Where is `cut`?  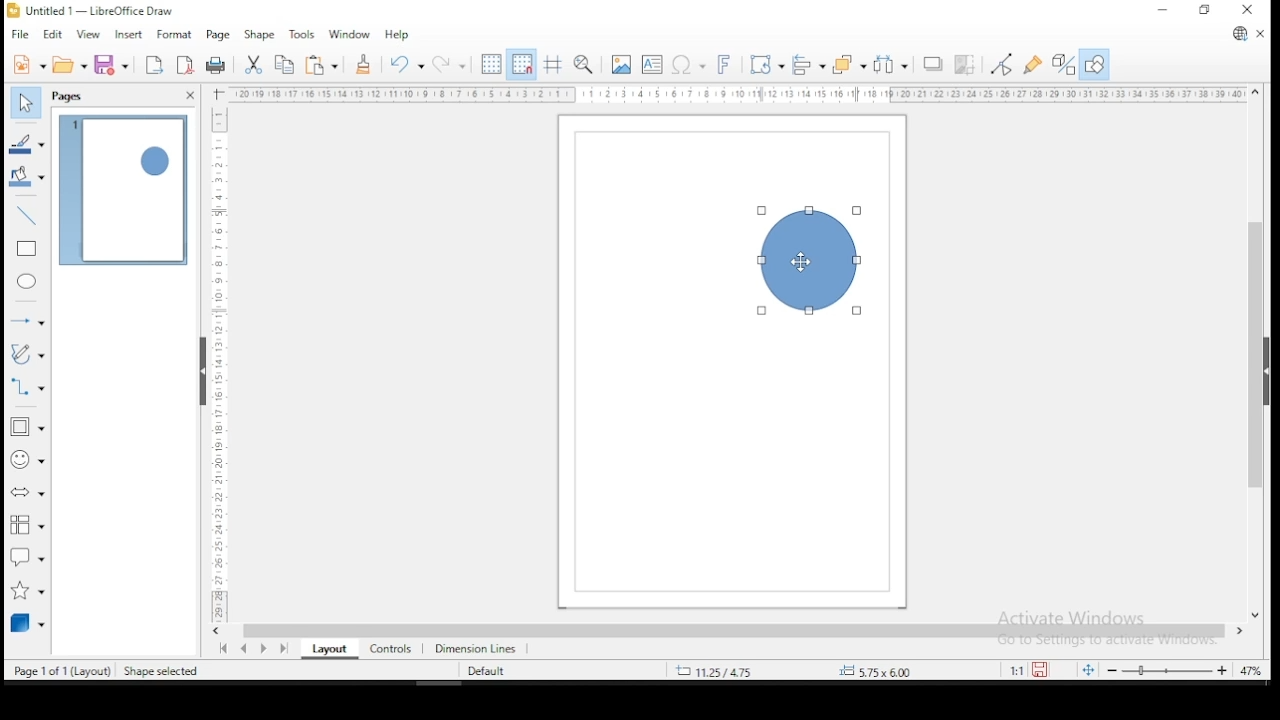 cut is located at coordinates (252, 65).